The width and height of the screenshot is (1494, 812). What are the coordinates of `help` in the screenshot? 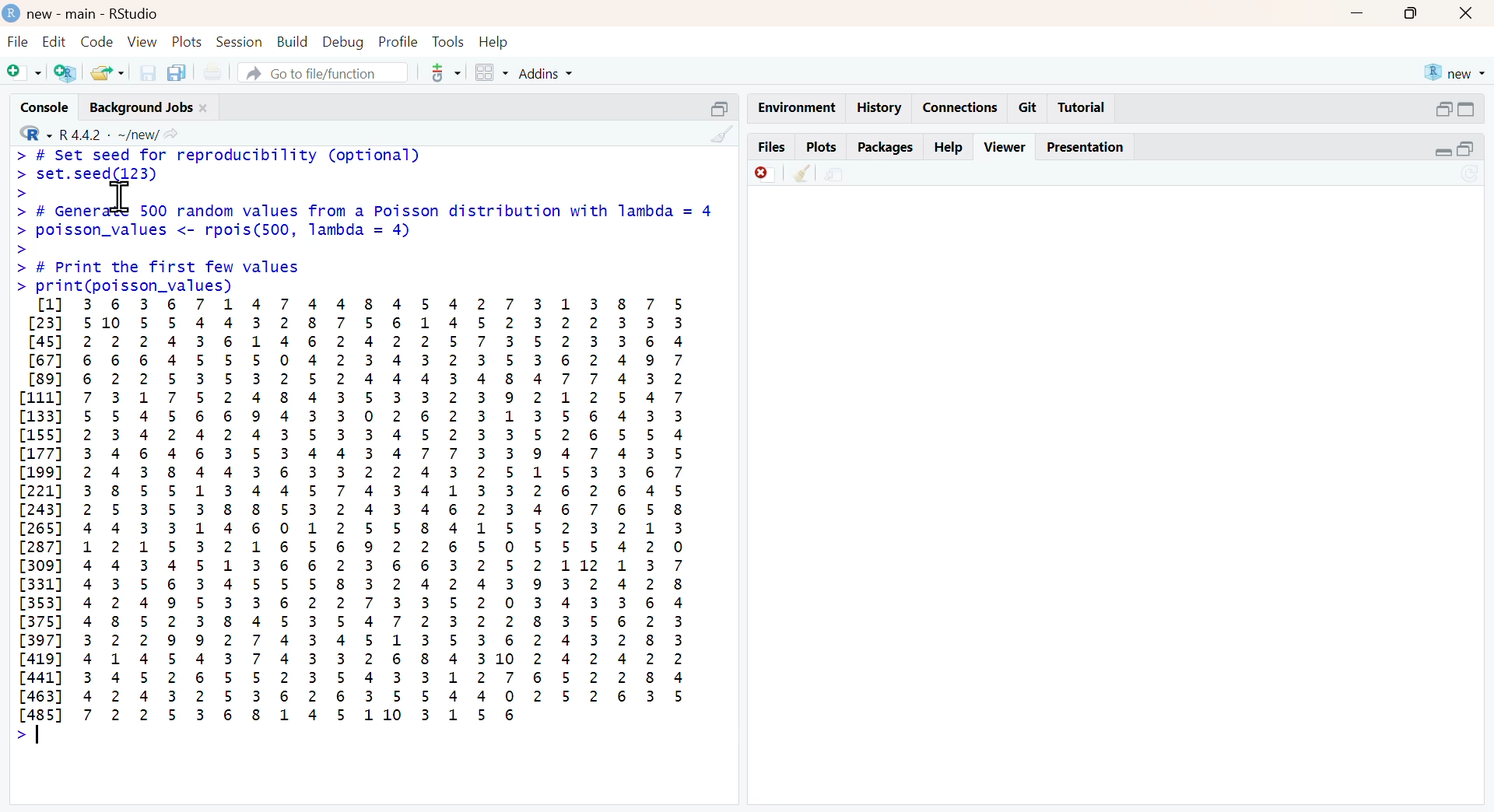 It's located at (494, 42).